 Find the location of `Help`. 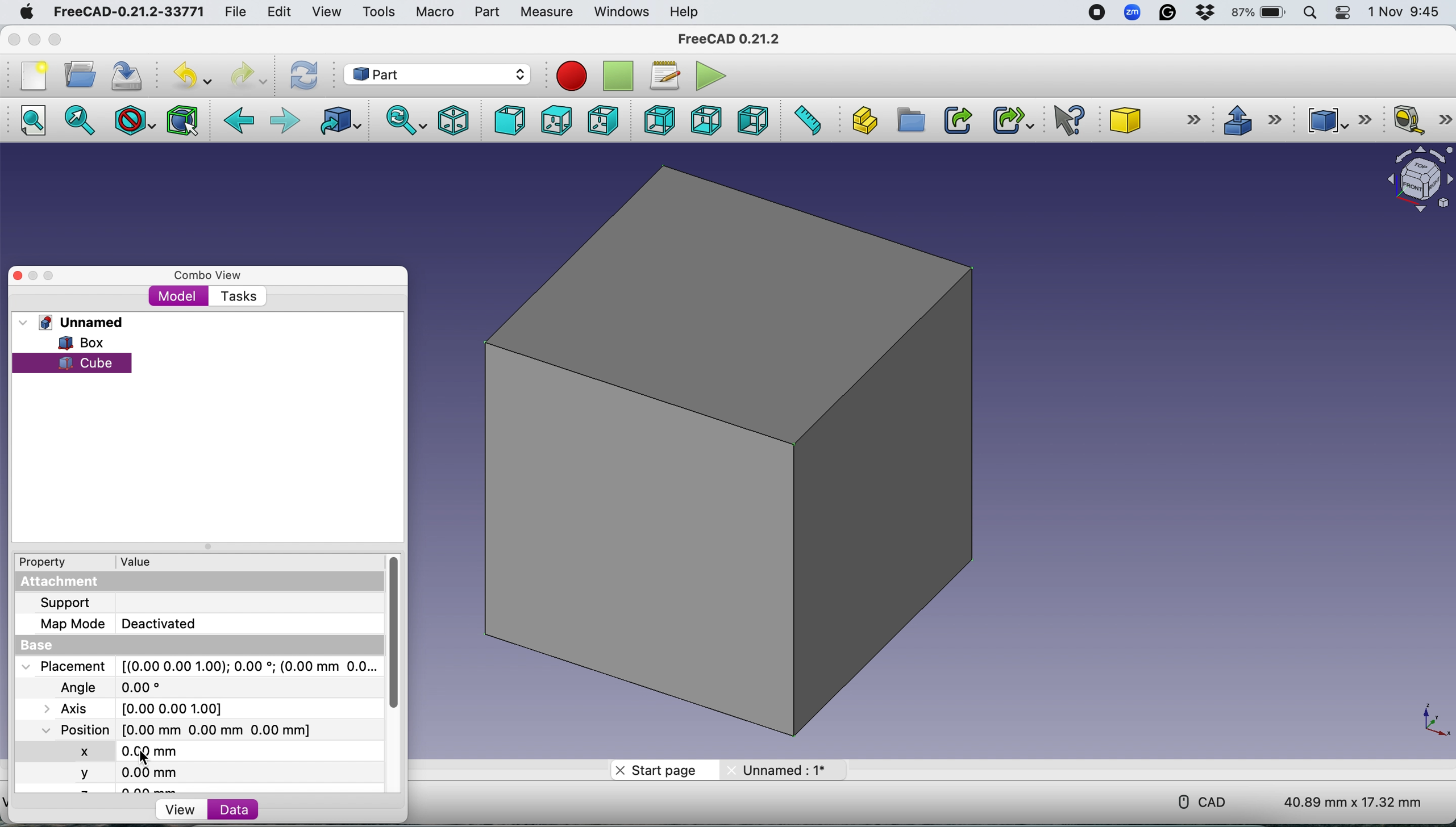

Help is located at coordinates (685, 11).